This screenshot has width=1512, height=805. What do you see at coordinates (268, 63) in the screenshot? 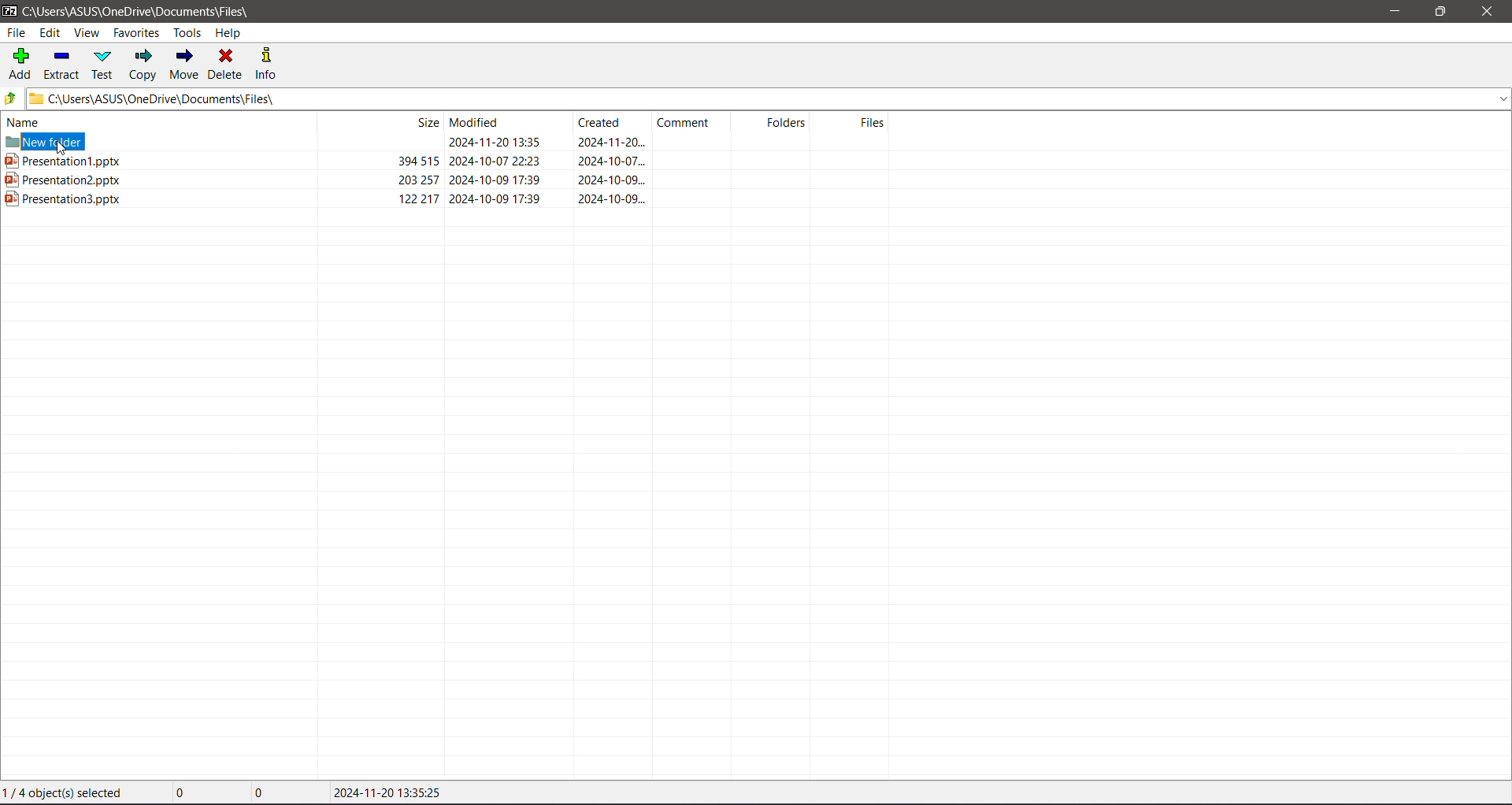
I see `Info` at bounding box center [268, 63].